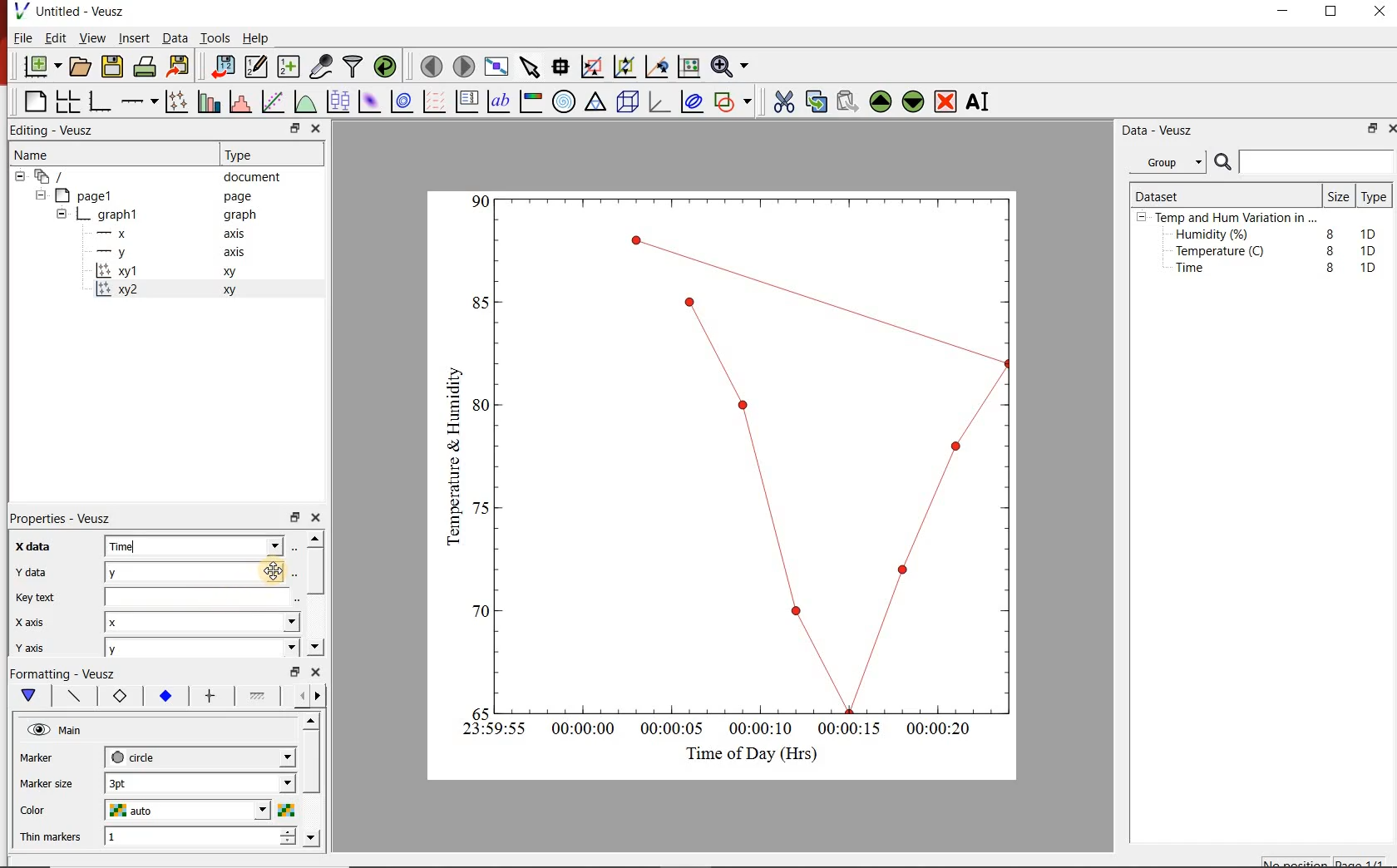  I want to click on decrease, so click(287, 846).